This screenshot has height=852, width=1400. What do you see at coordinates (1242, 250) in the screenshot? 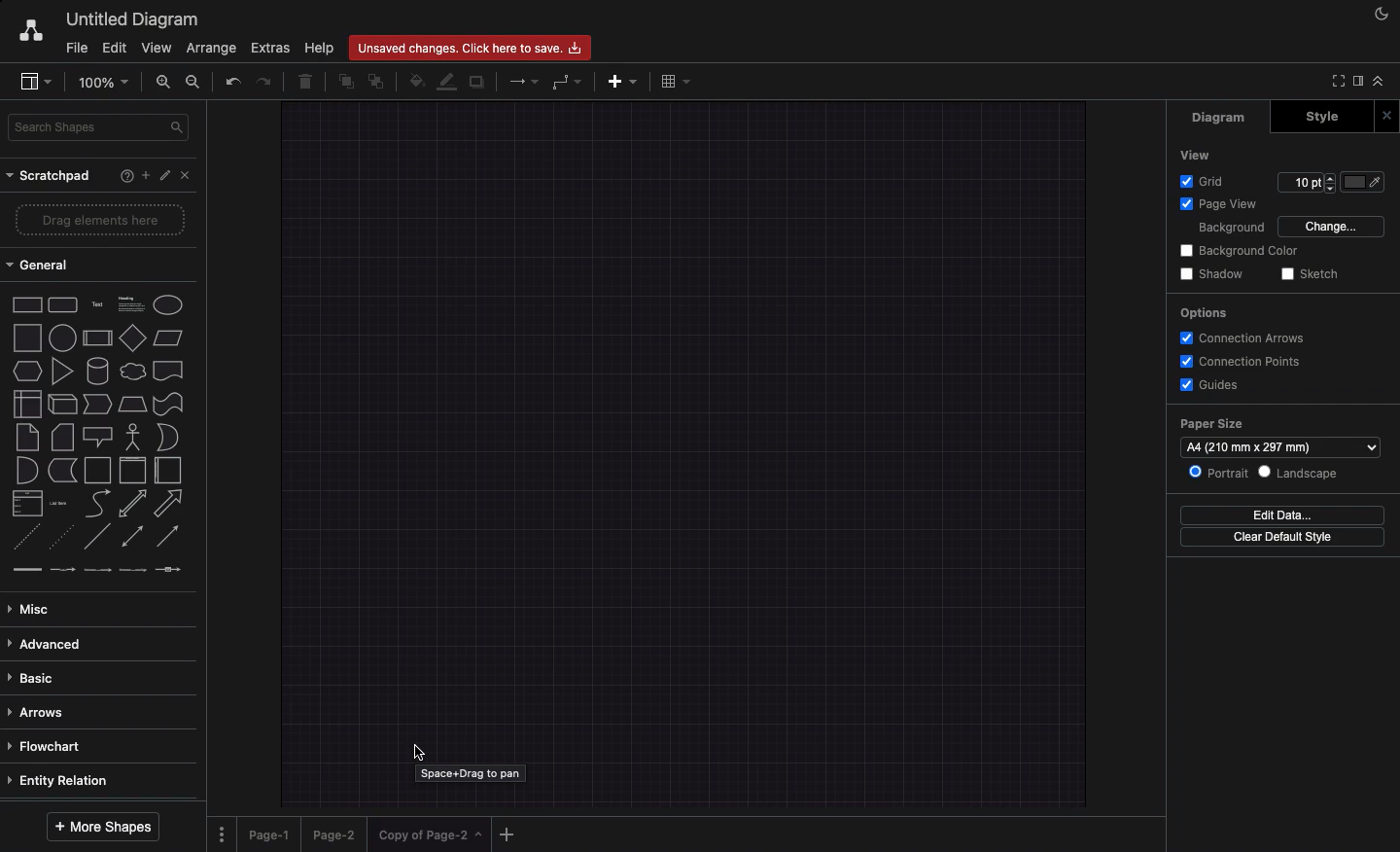
I see `Background color` at bounding box center [1242, 250].